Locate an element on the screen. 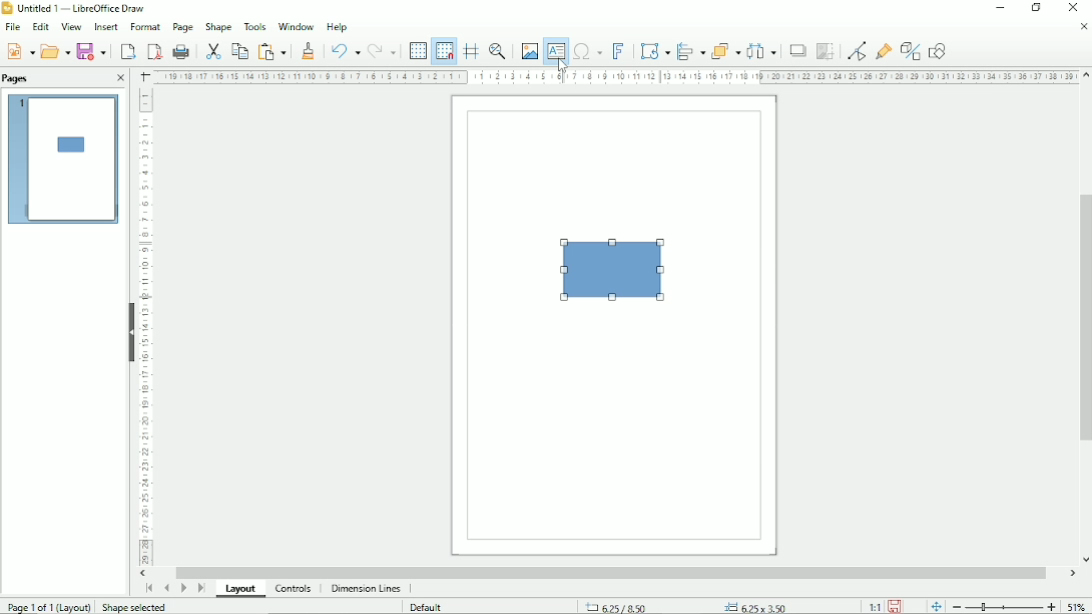 Image resolution: width=1092 pixels, height=614 pixels. Shadow is located at coordinates (797, 51).